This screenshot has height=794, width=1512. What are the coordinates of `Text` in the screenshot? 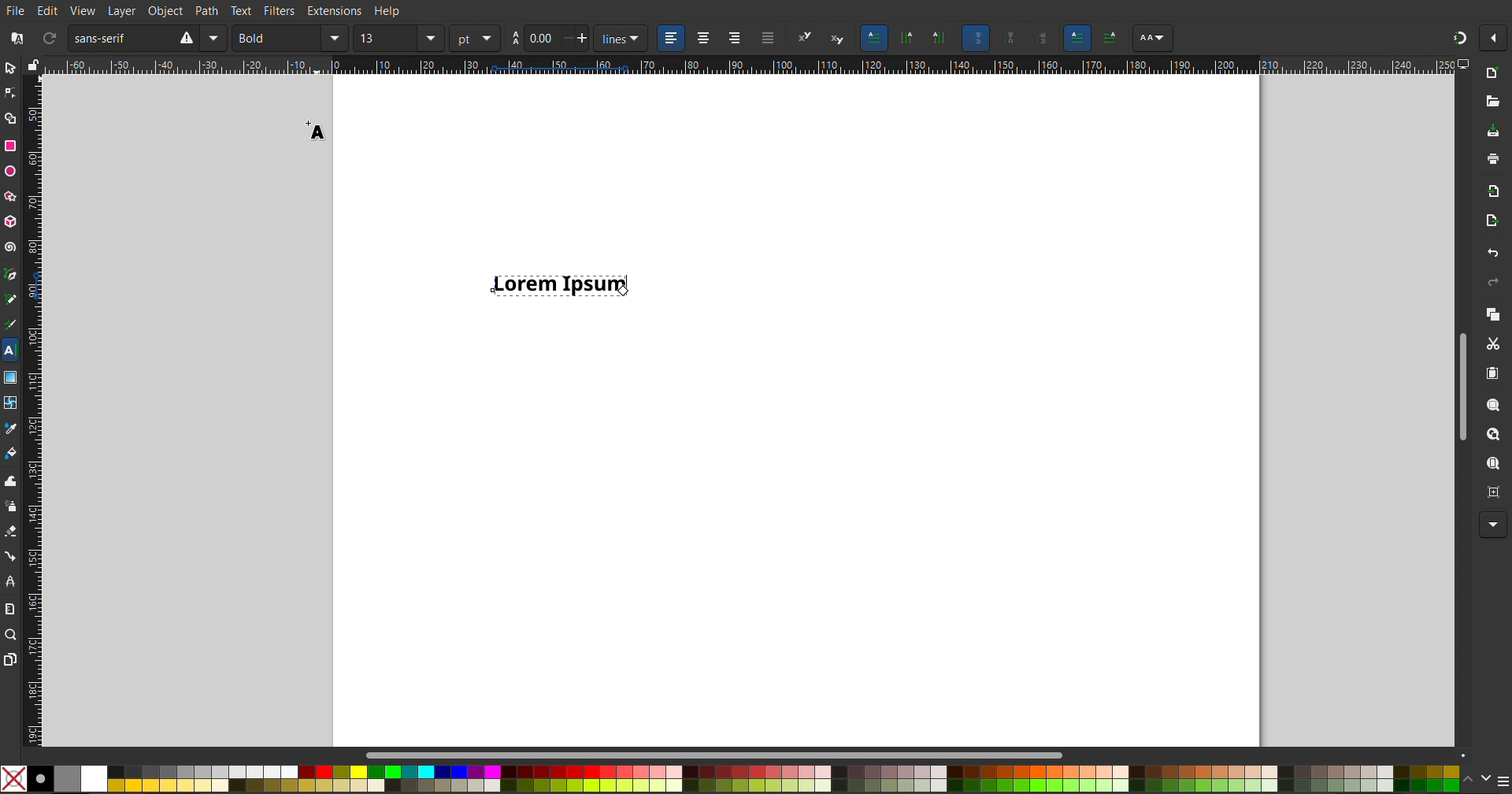 It's located at (242, 10).